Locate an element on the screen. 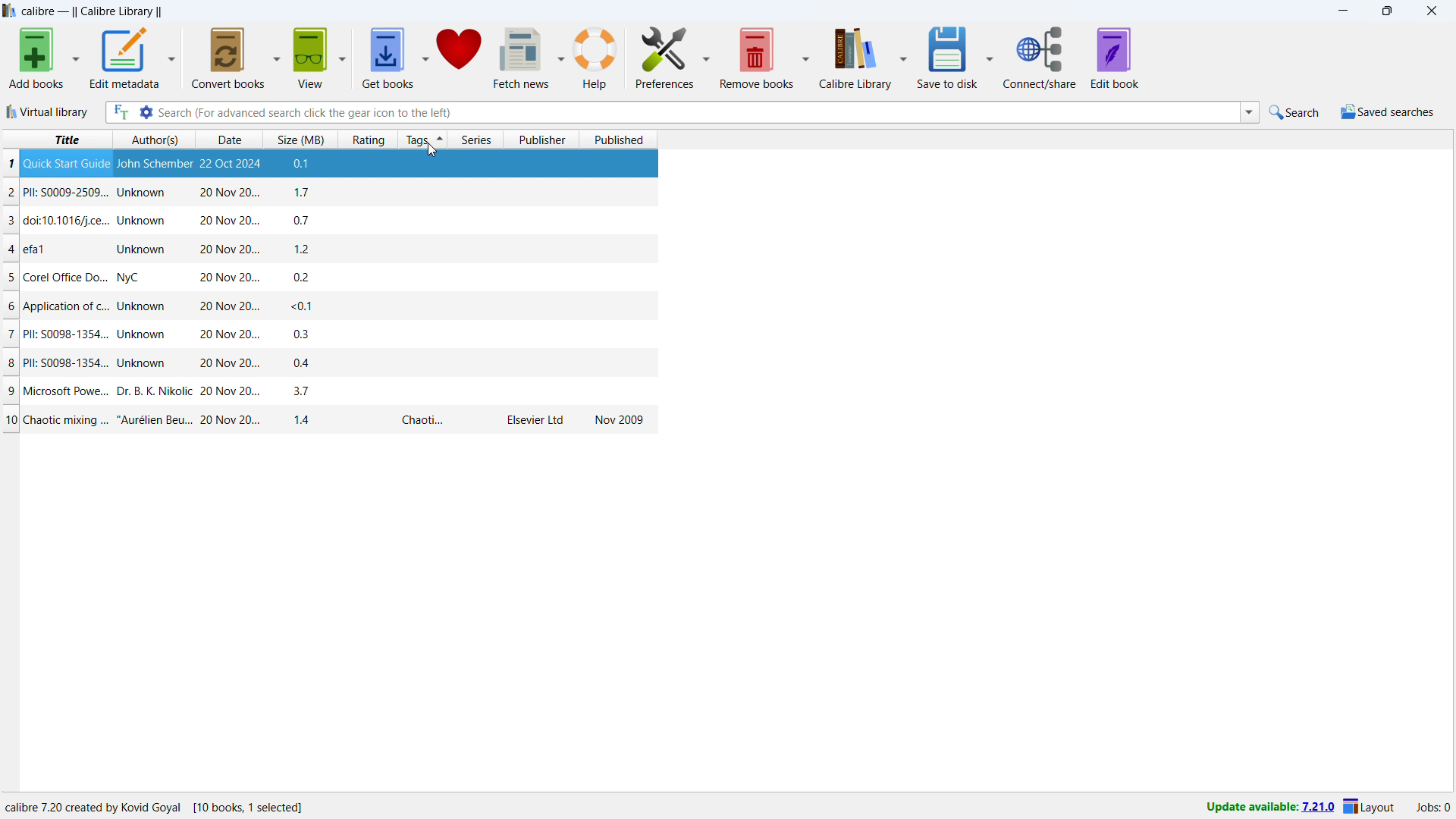  full text search is located at coordinates (120, 112).